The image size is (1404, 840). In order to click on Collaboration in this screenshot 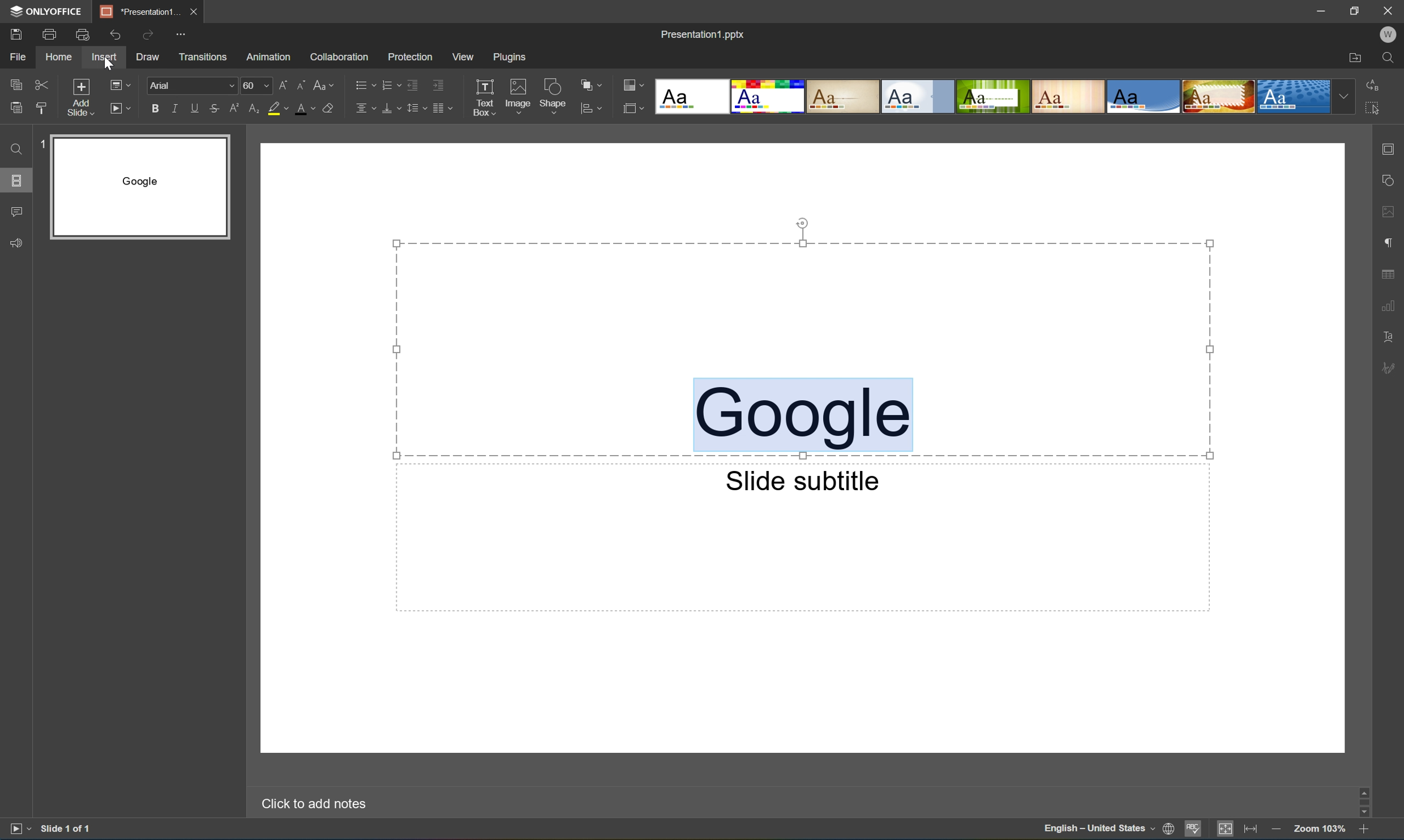, I will do `click(338, 57)`.